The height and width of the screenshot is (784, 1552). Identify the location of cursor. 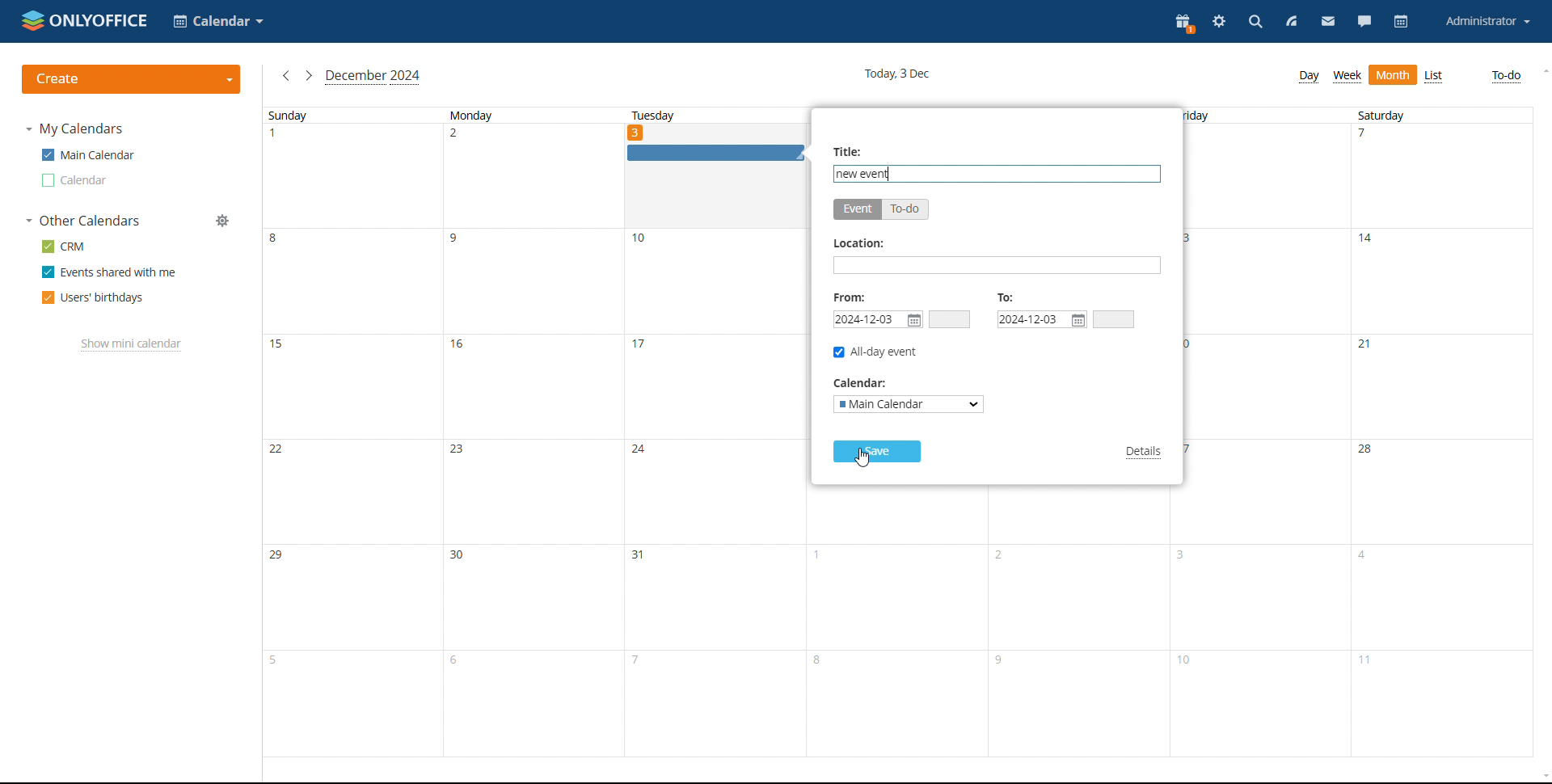
(862, 458).